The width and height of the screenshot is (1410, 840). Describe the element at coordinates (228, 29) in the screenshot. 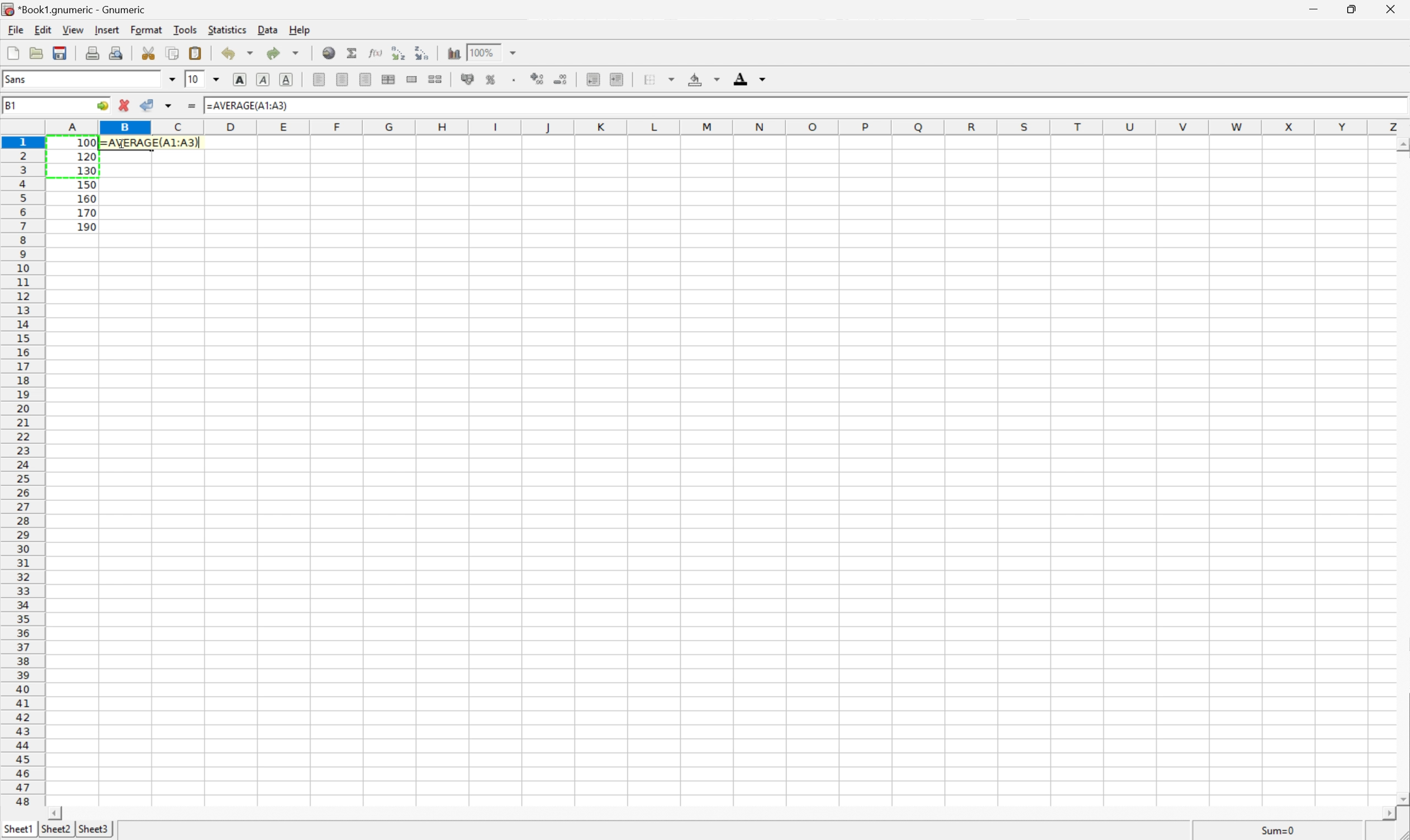

I see `Statistics` at that location.